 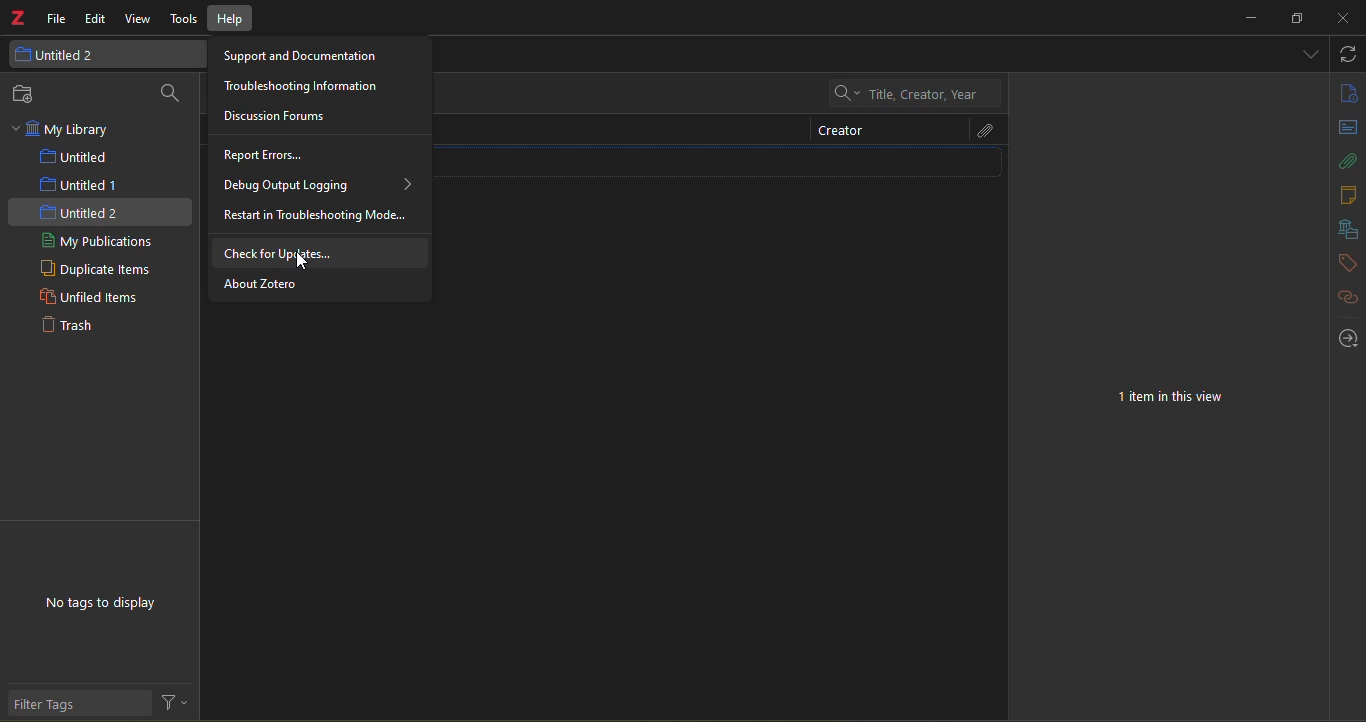 I want to click on unfiled items, so click(x=89, y=297).